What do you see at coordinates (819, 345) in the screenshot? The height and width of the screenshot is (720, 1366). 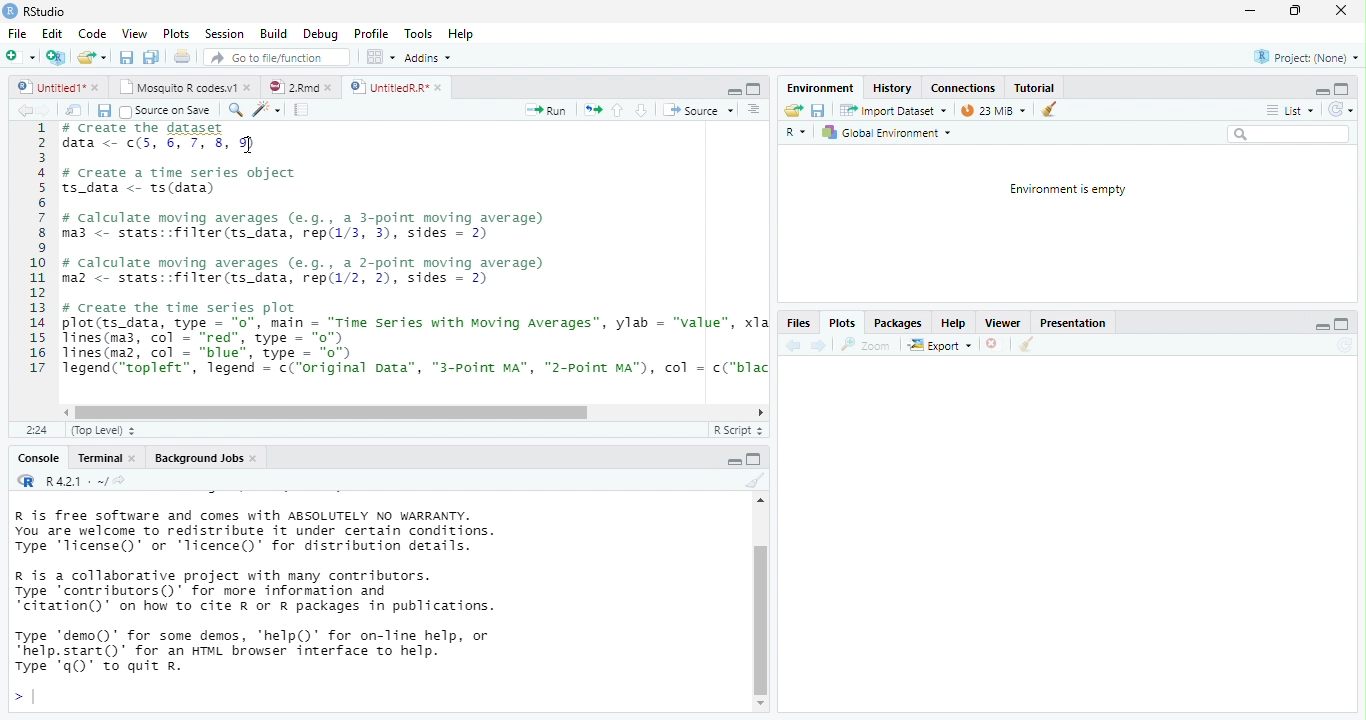 I see `next` at bounding box center [819, 345].